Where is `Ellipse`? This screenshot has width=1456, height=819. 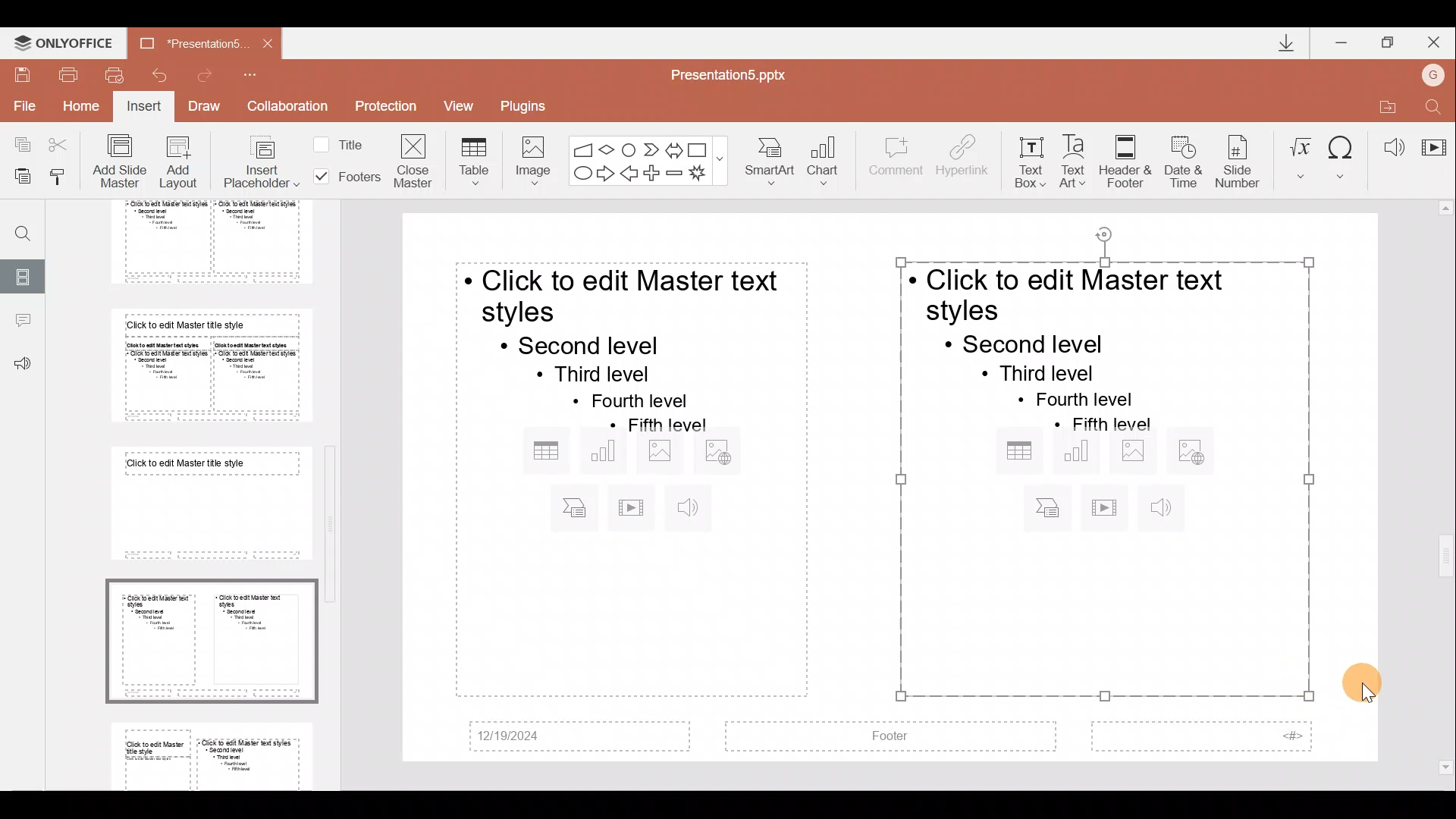 Ellipse is located at coordinates (581, 174).